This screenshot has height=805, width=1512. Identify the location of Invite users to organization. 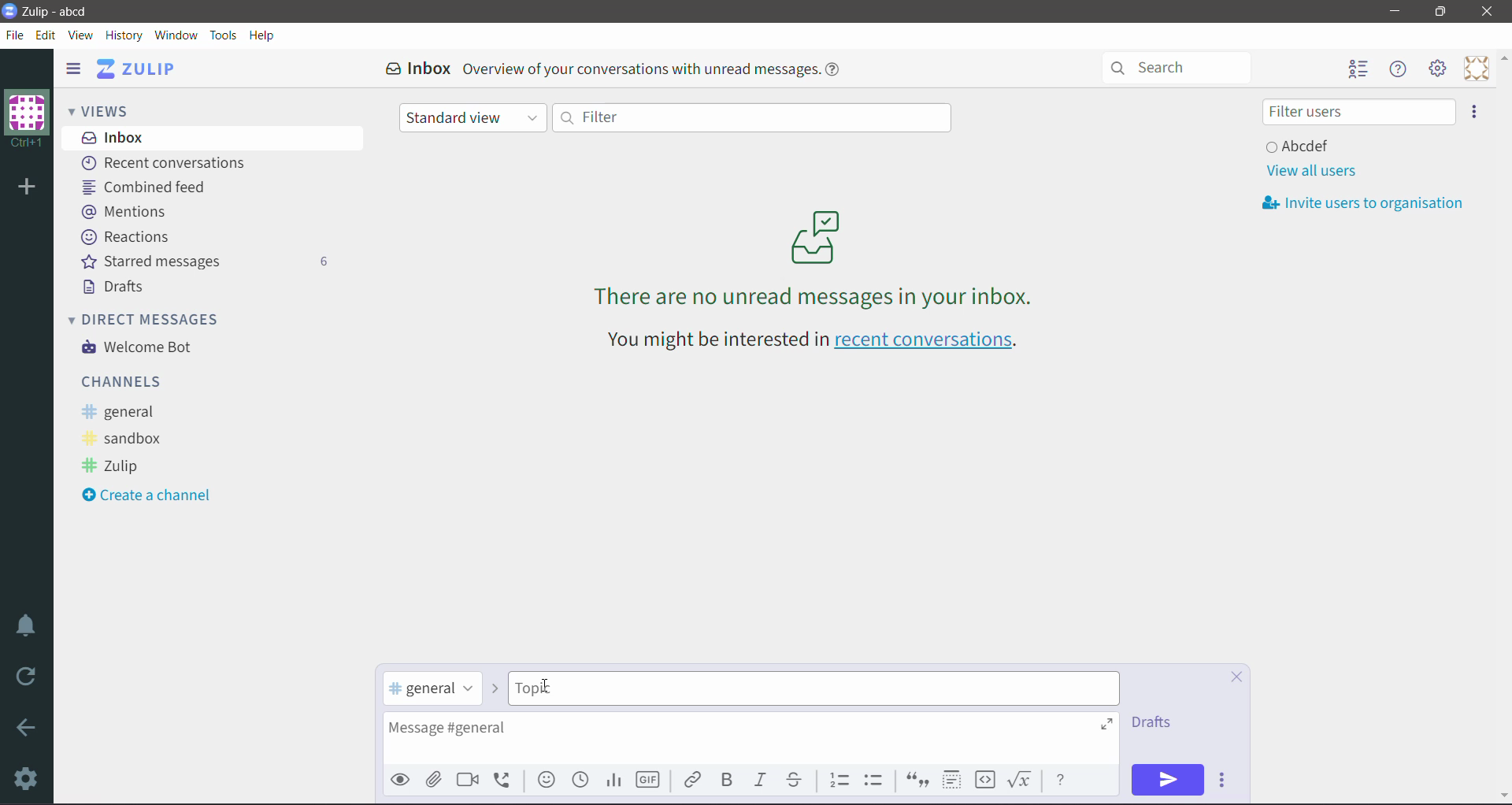
(1475, 112).